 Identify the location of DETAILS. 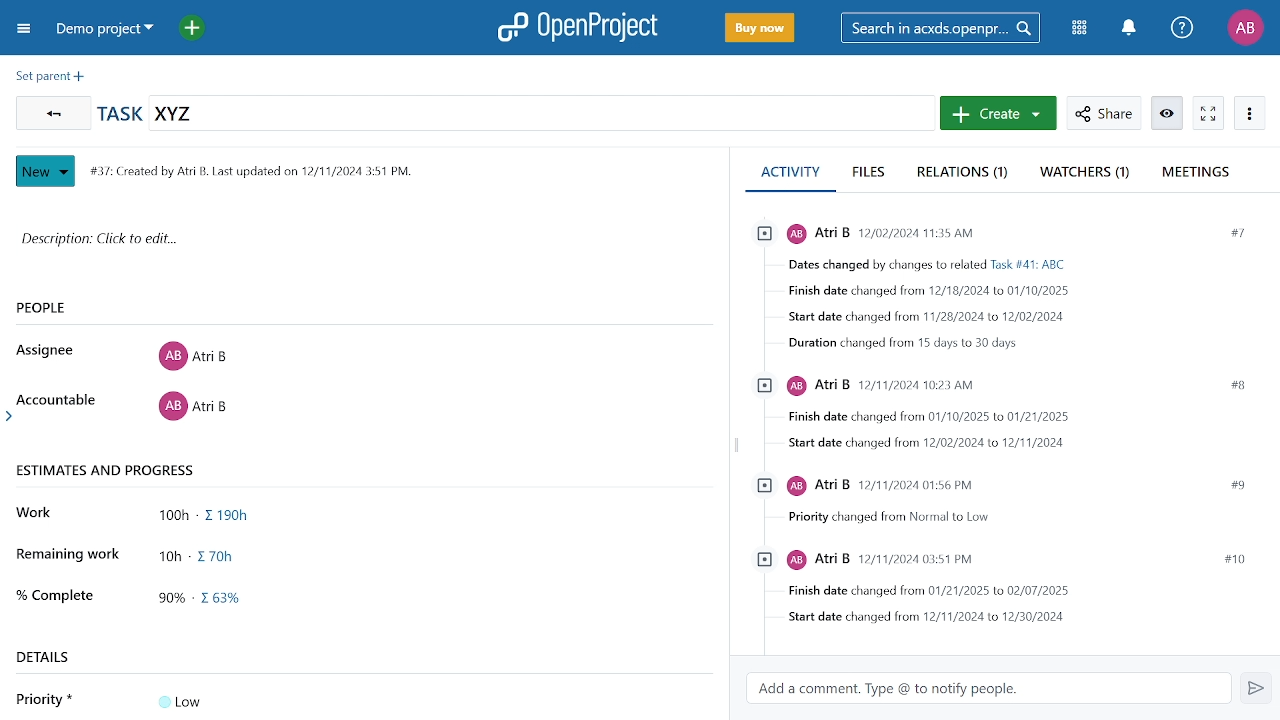
(56, 657).